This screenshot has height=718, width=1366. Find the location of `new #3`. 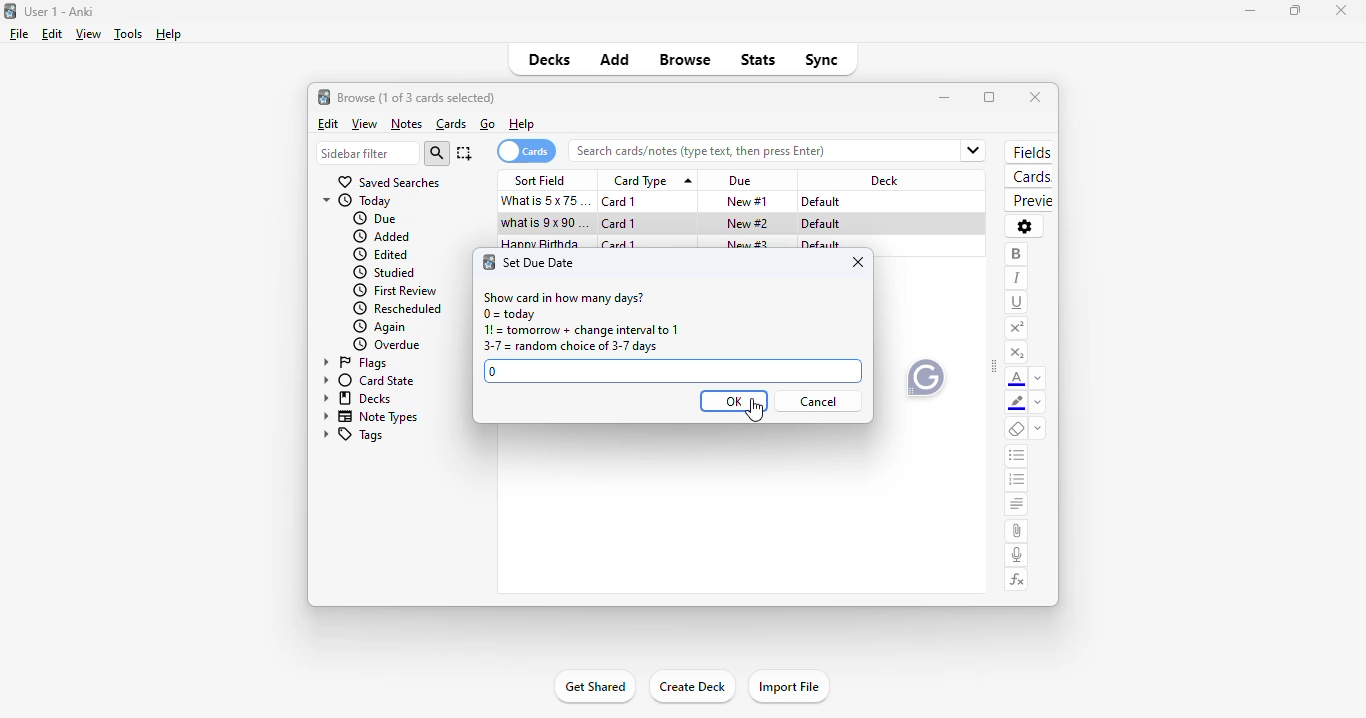

new #3 is located at coordinates (748, 246).